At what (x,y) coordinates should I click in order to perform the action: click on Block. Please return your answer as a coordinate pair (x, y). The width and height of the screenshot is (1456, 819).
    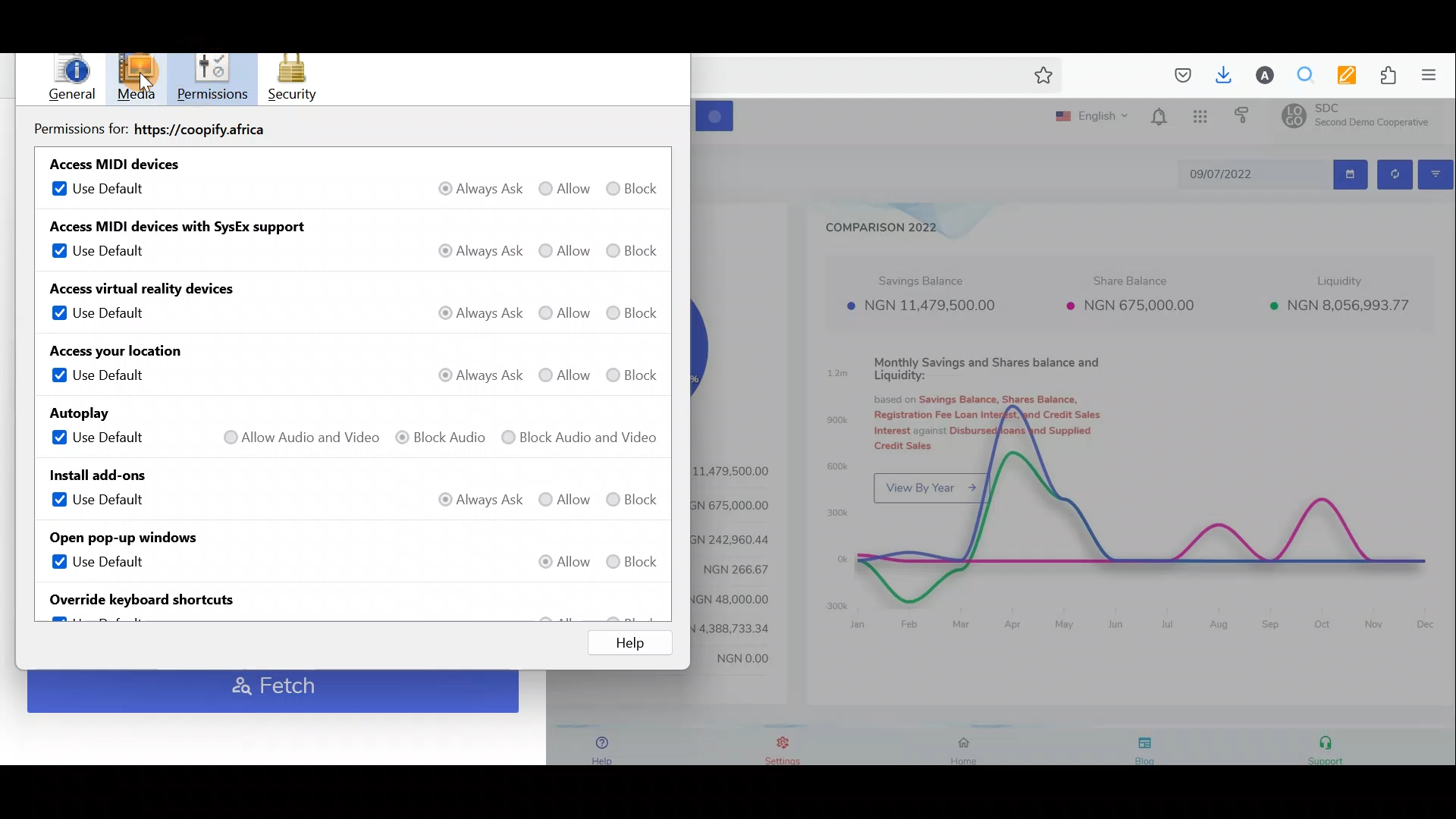
    Looking at the image, I should click on (634, 253).